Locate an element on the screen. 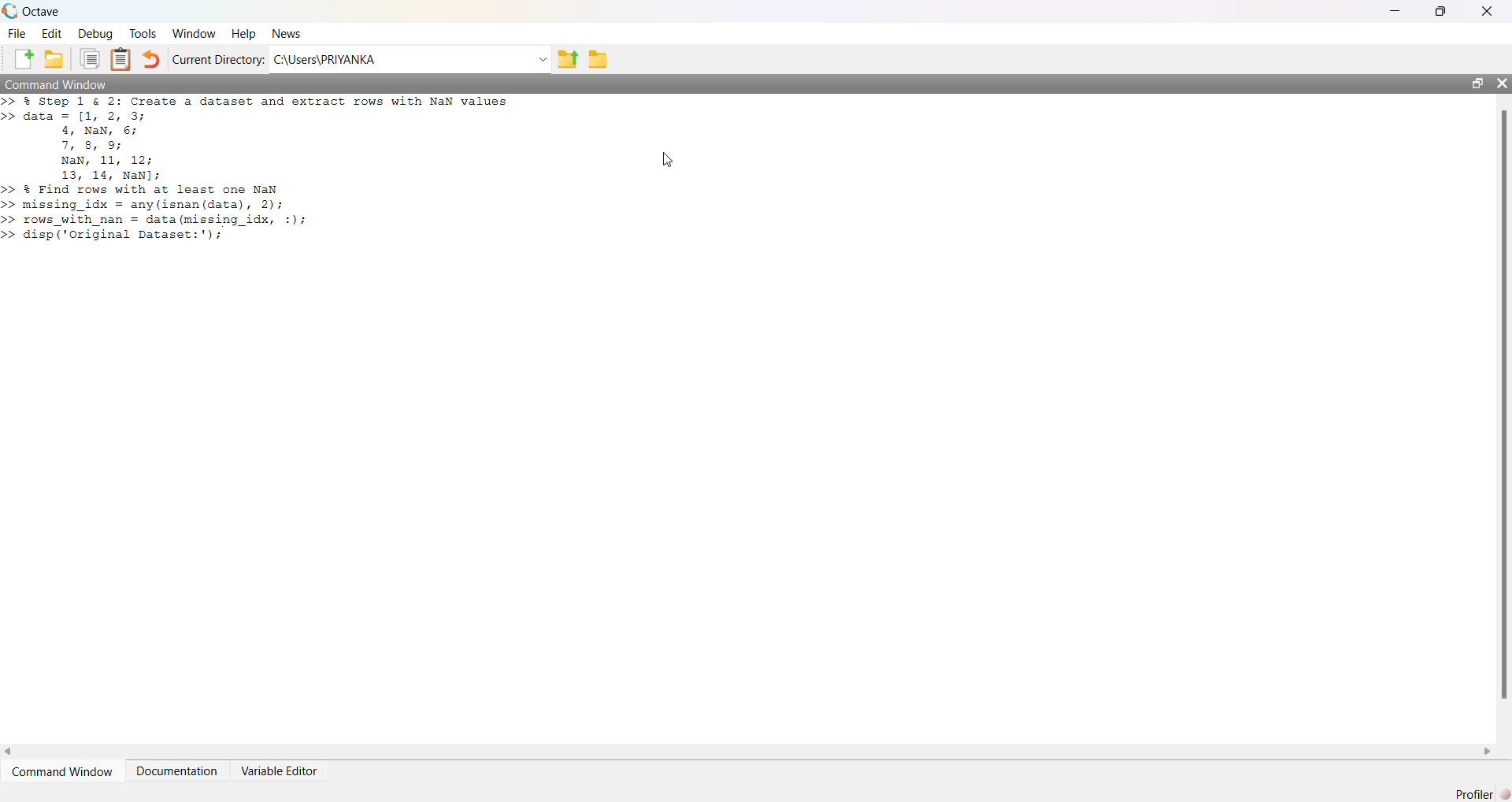 This screenshot has width=1512, height=802. folder is located at coordinates (598, 60).